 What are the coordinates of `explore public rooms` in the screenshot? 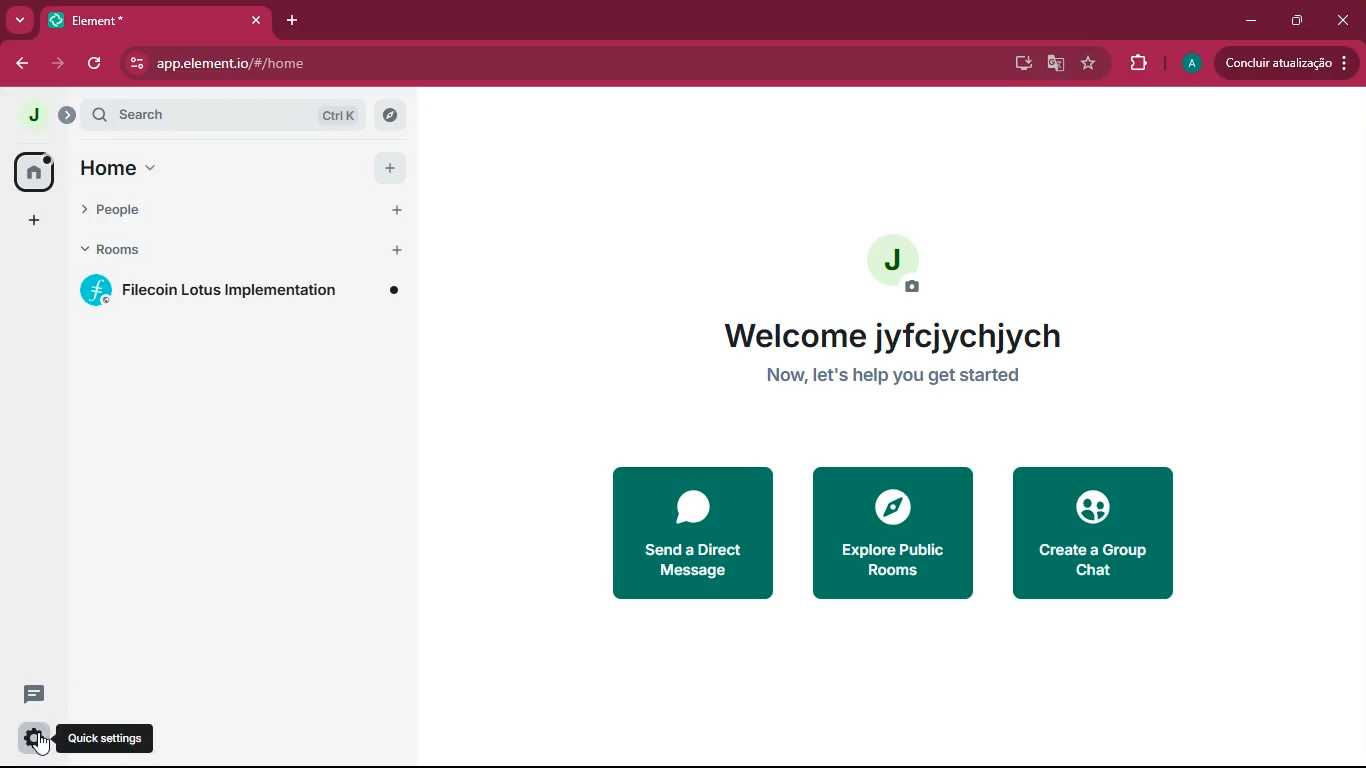 It's located at (891, 531).